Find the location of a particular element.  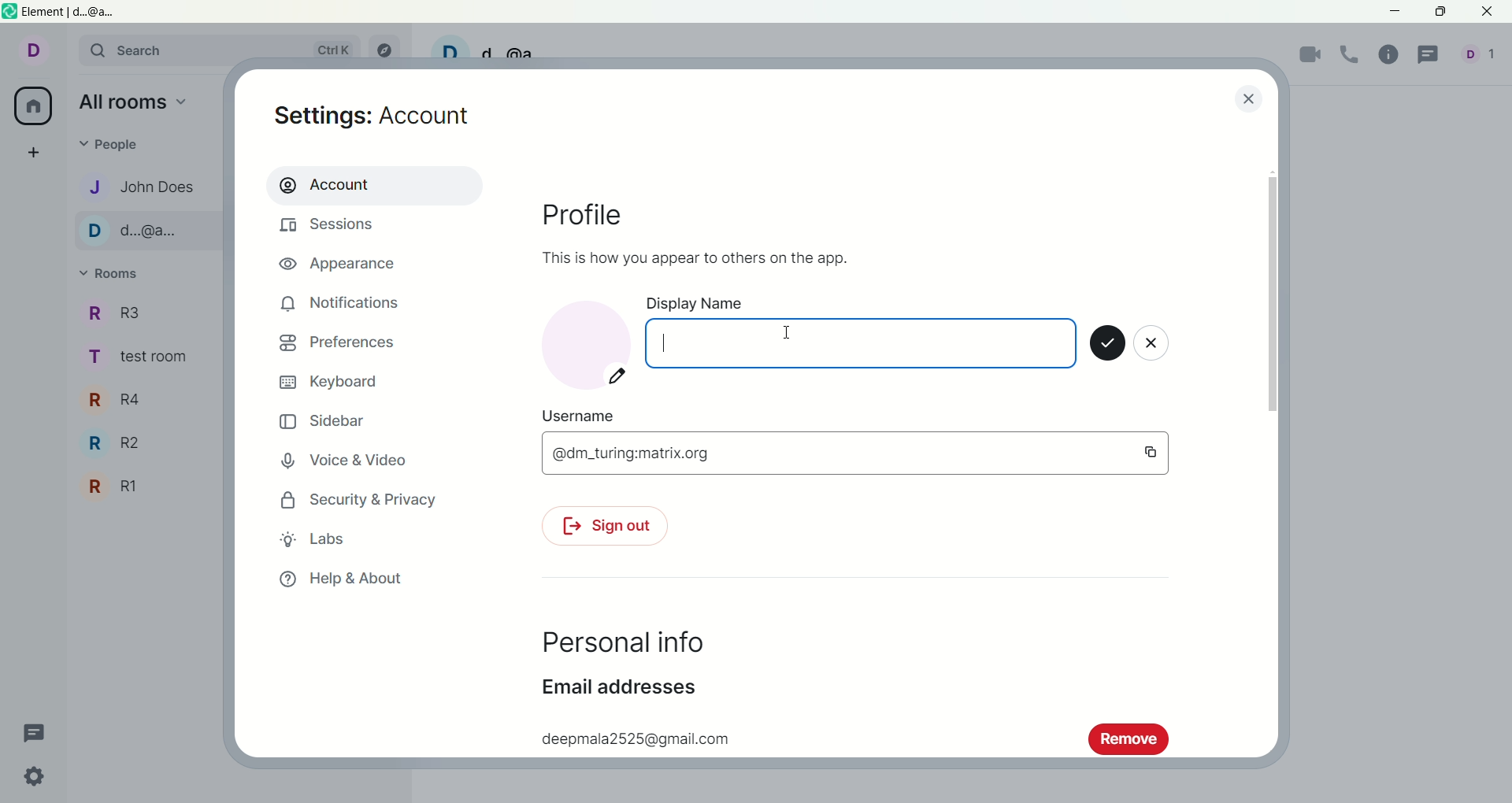

keyboard is located at coordinates (333, 383).